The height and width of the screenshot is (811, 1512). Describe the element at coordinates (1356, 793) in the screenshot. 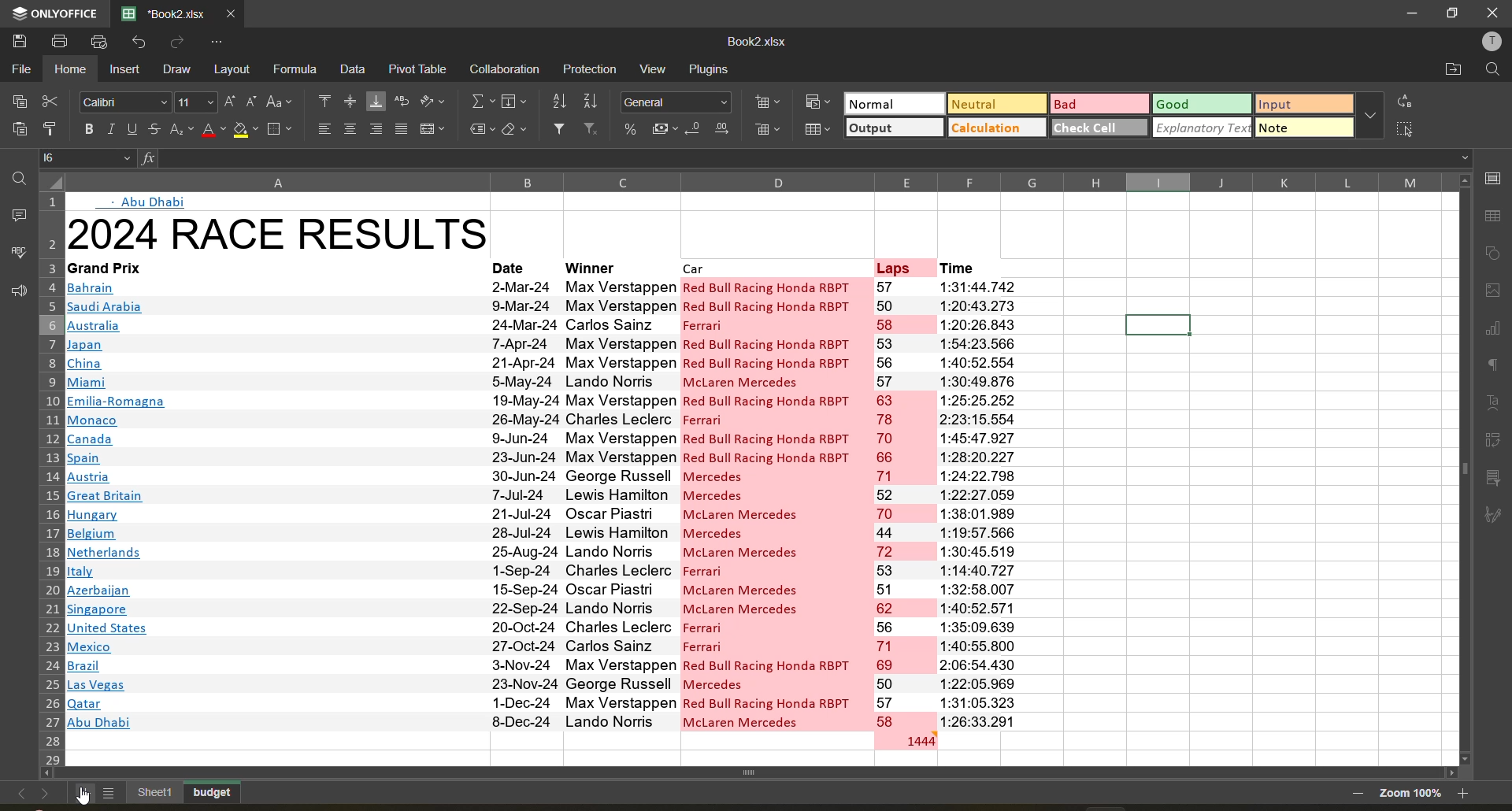

I see `zoom out` at that location.